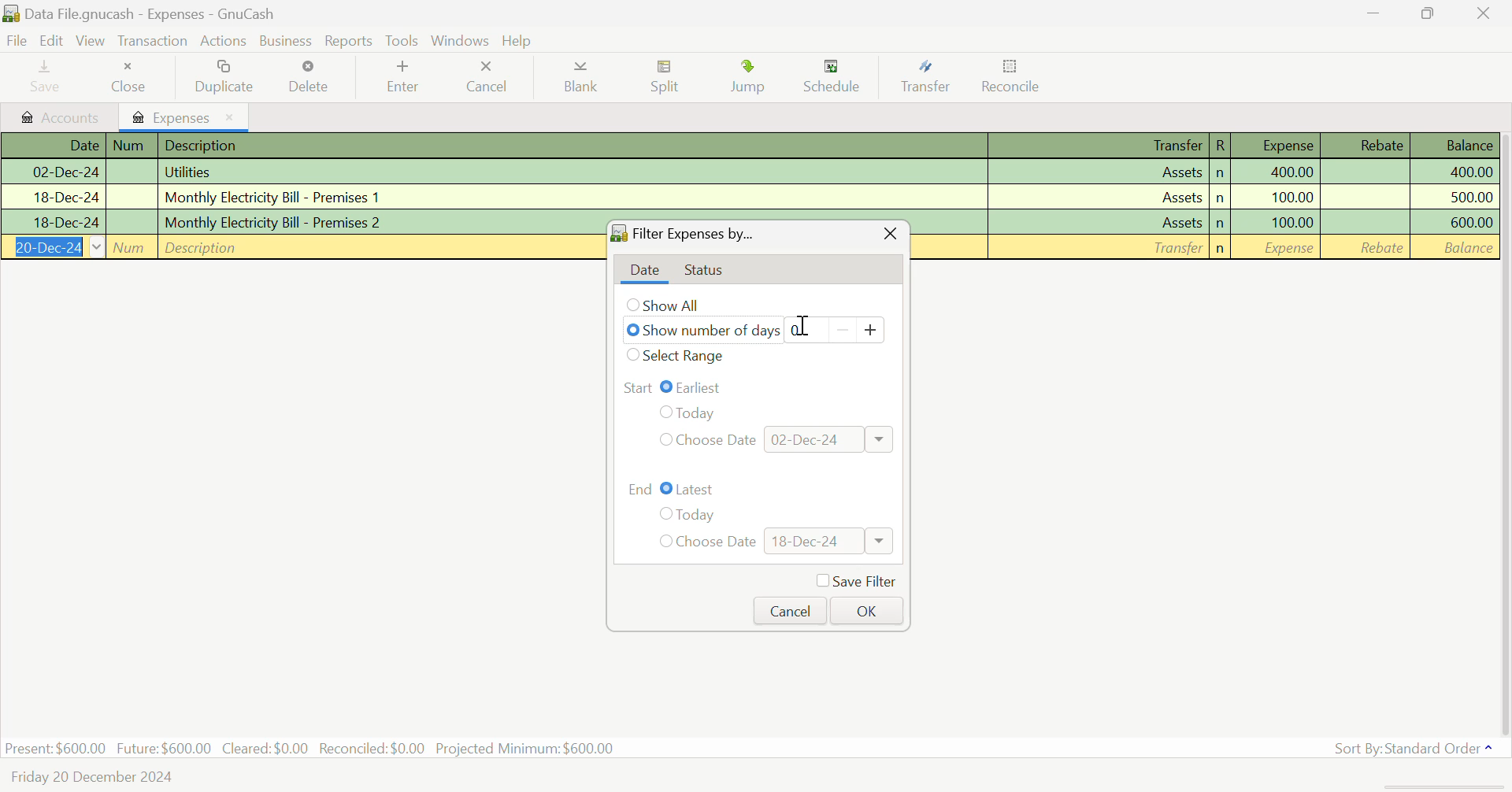 This screenshot has height=792, width=1512. I want to click on Date, so click(51, 222).